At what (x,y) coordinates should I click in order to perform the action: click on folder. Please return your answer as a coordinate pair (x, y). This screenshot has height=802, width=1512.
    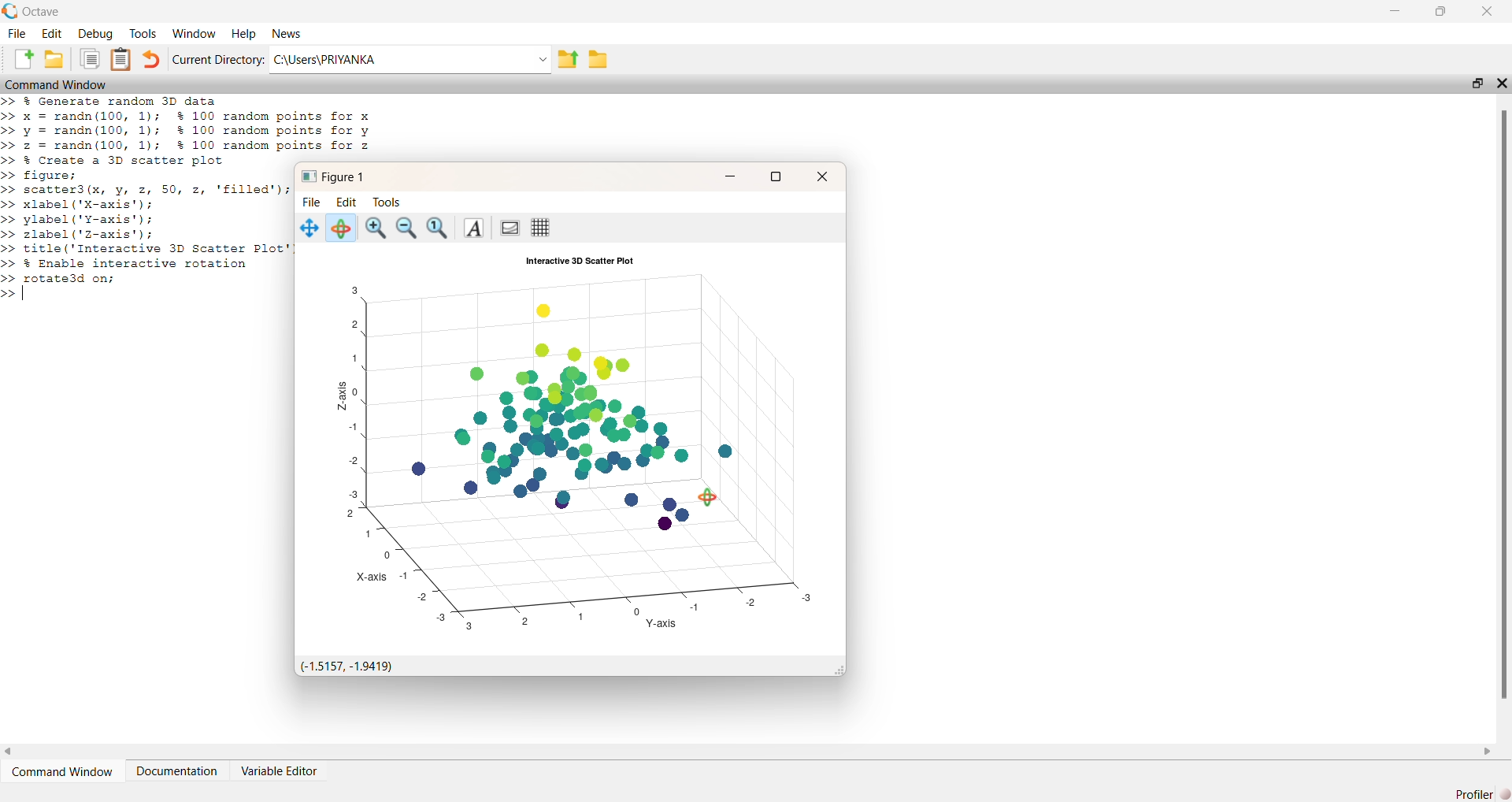
    Looking at the image, I should click on (53, 58).